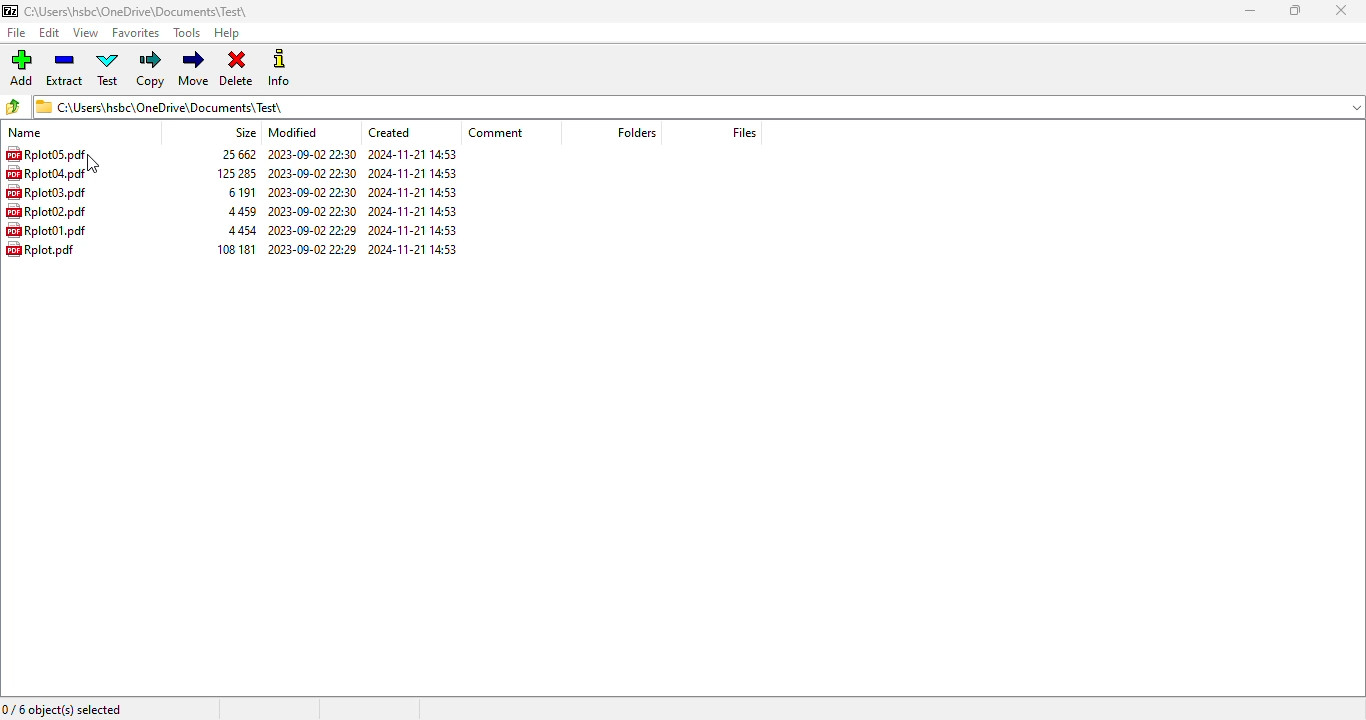 The height and width of the screenshot is (720, 1366). What do you see at coordinates (108, 69) in the screenshot?
I see `test` at bounding box center [108, 69].